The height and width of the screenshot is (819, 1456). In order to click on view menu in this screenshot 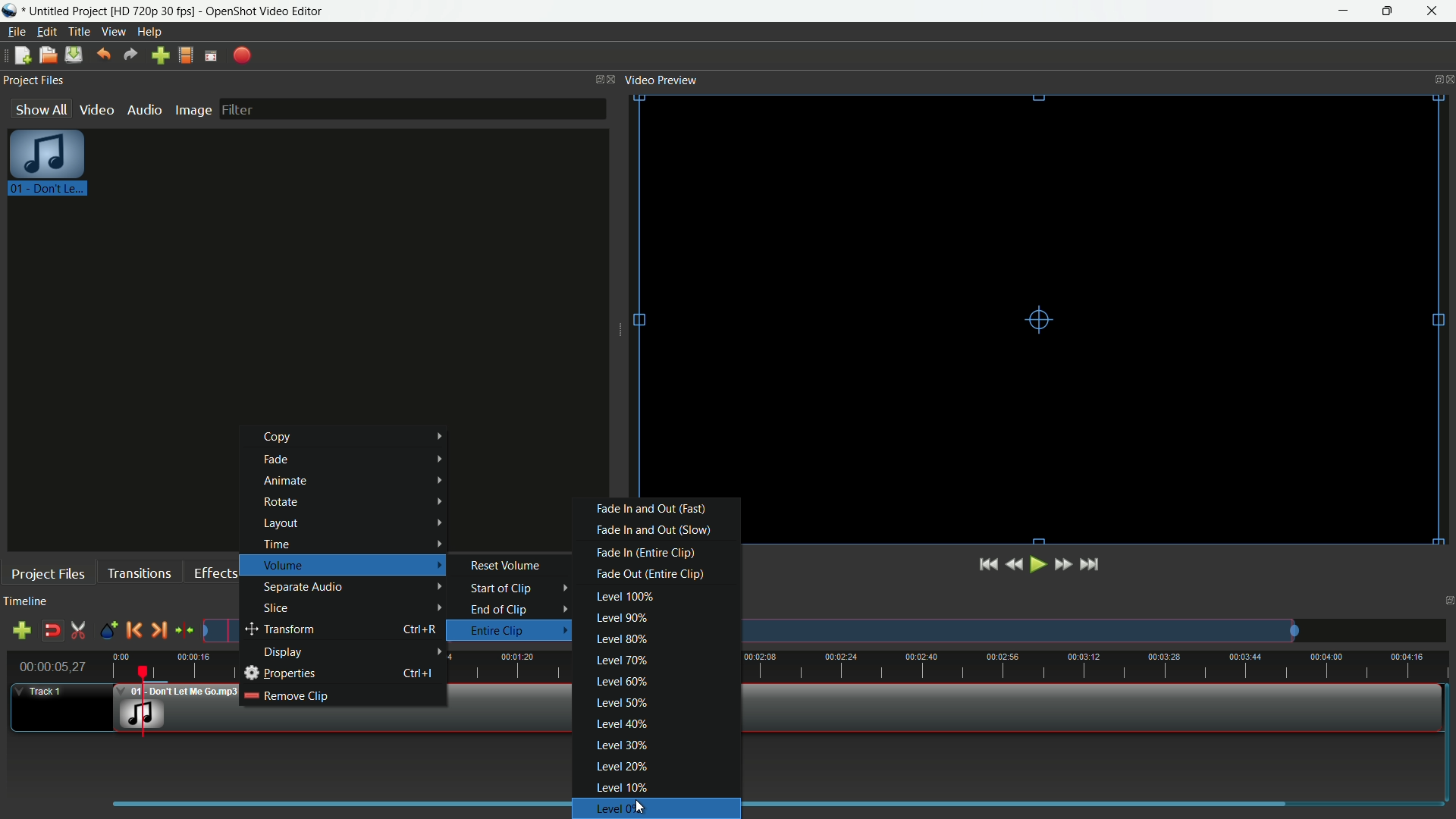, I will do `click(115, 33)`.